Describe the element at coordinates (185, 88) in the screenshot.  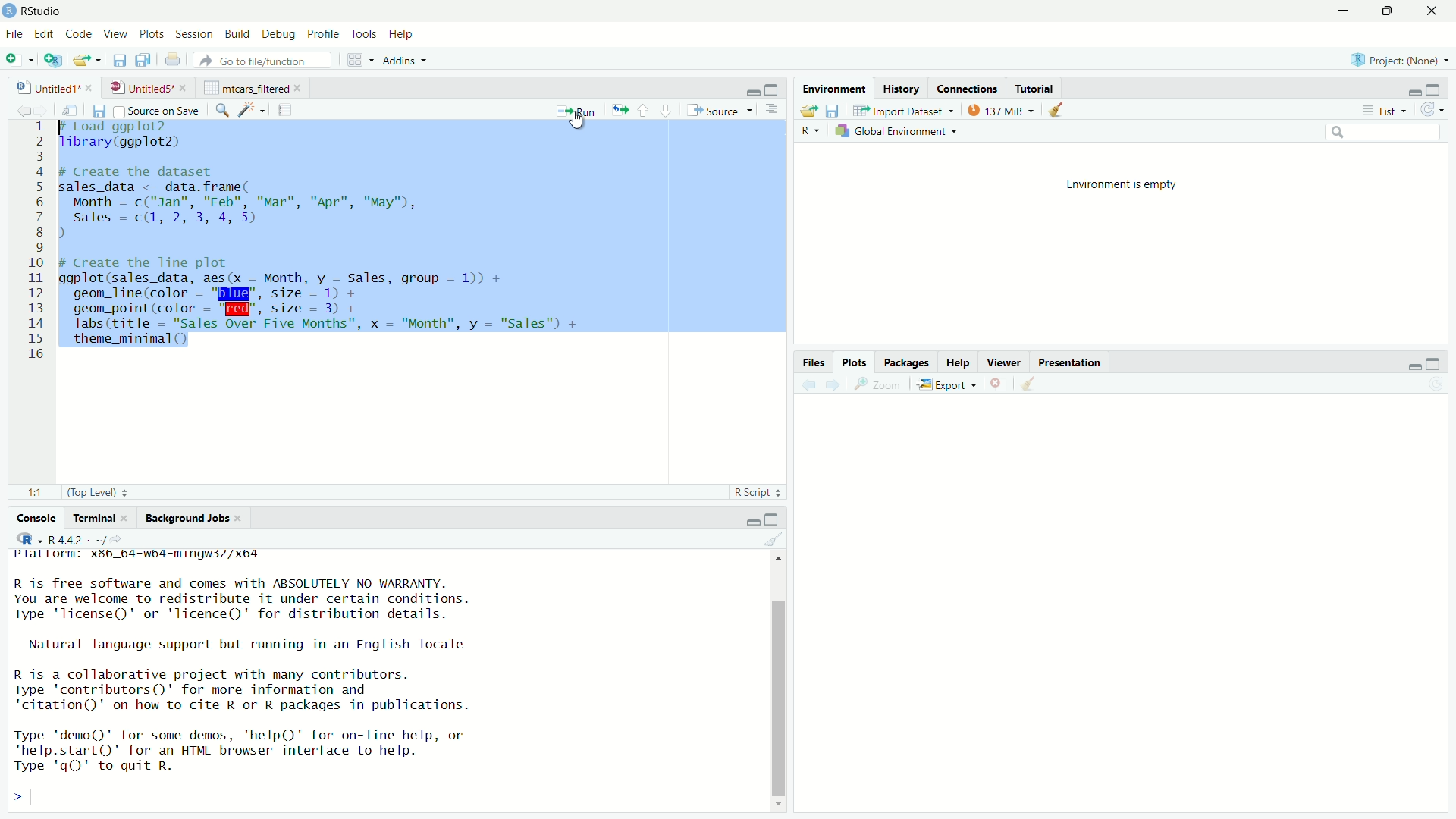
I see `close` at that location.